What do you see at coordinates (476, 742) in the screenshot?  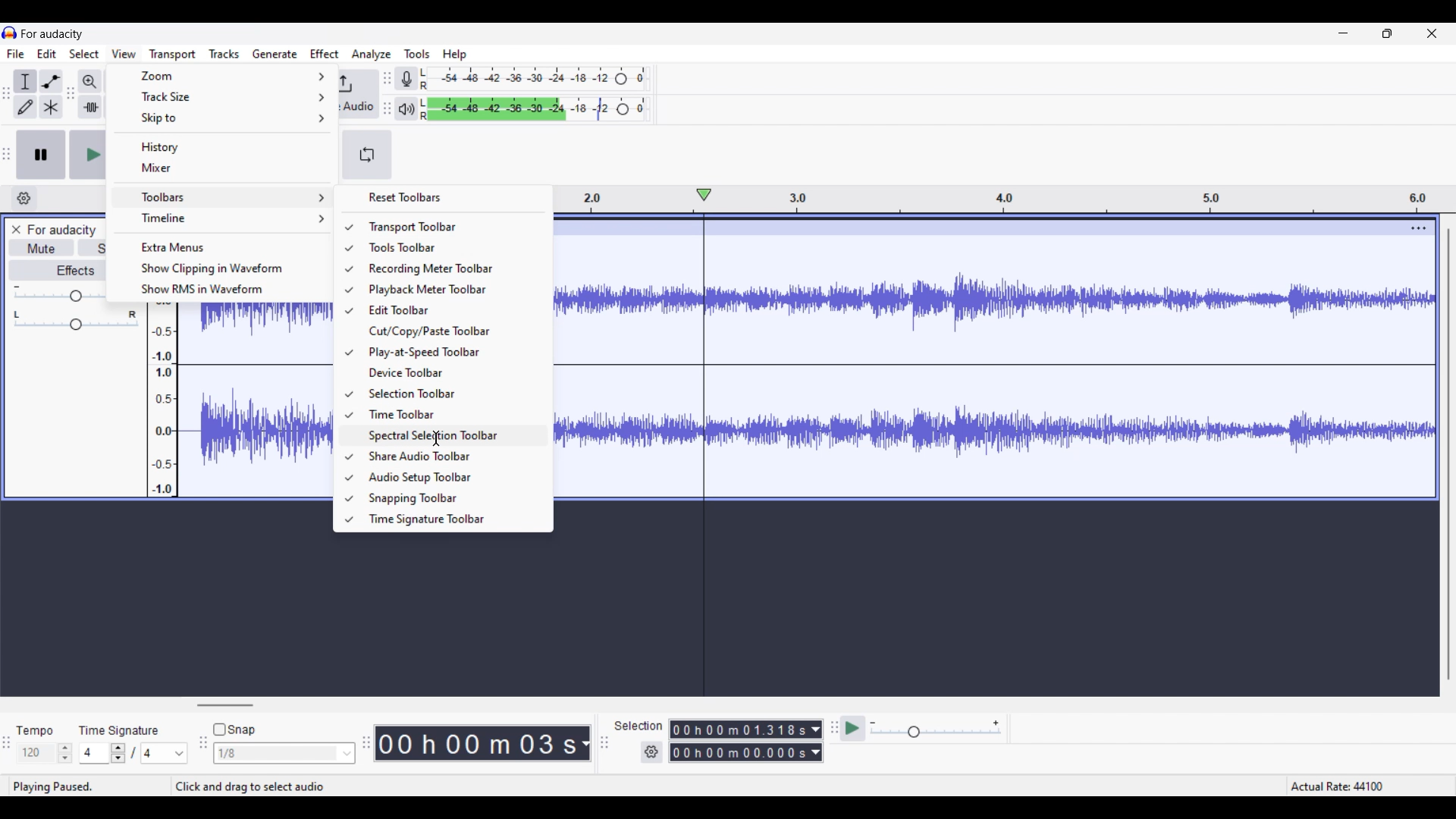 I see `Duration` at bounding box center [476, 742].